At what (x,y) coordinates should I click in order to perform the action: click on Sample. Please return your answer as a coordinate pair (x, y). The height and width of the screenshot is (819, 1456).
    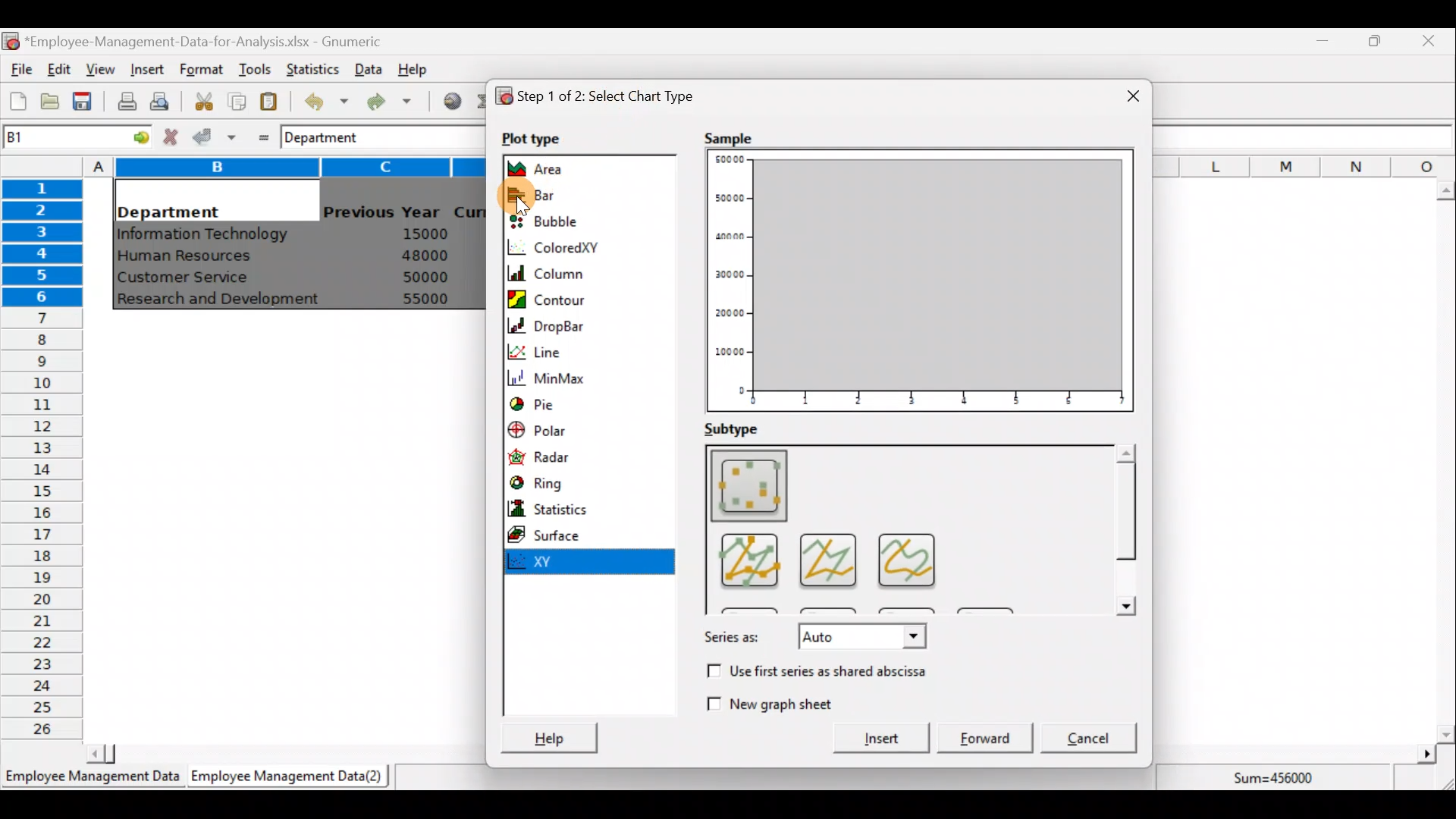
    Looking at the image, I should click on (737, 134).